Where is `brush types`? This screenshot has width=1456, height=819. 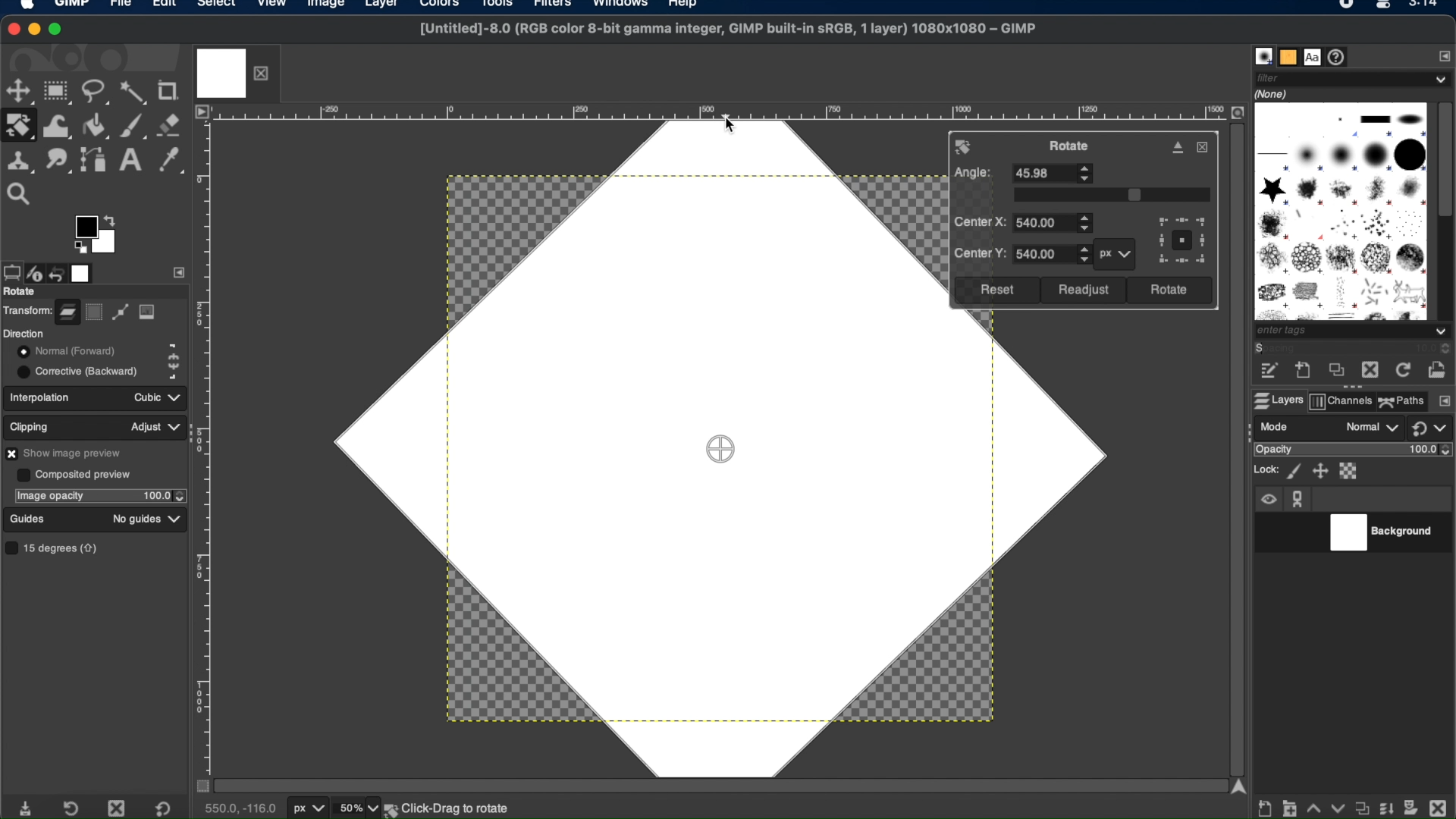 brush types is located at coordinates (1340, 211).